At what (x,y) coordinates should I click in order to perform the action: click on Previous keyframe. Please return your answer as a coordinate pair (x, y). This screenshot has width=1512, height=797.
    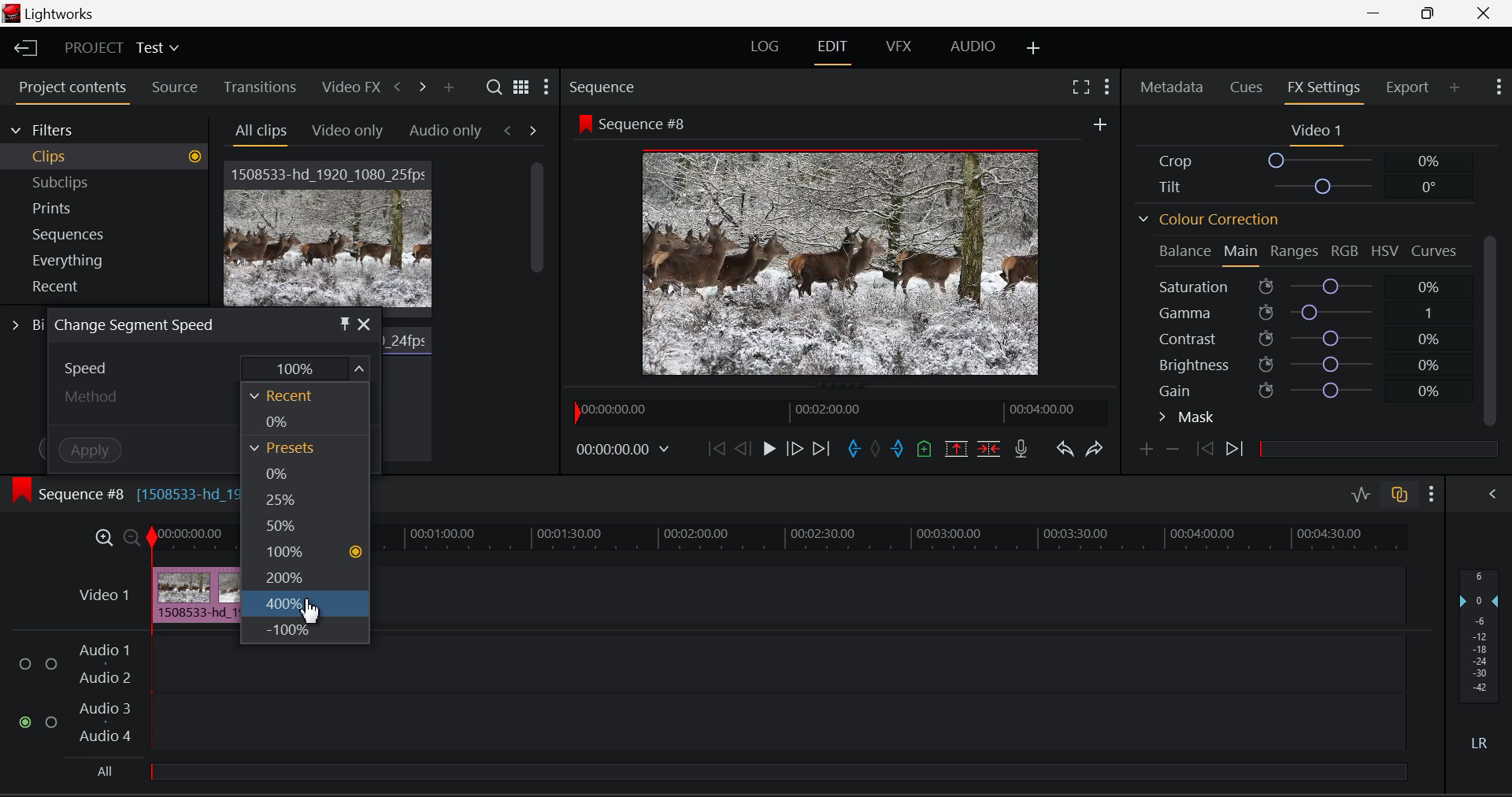
    Looking at the image, I should click on (1202, 450).